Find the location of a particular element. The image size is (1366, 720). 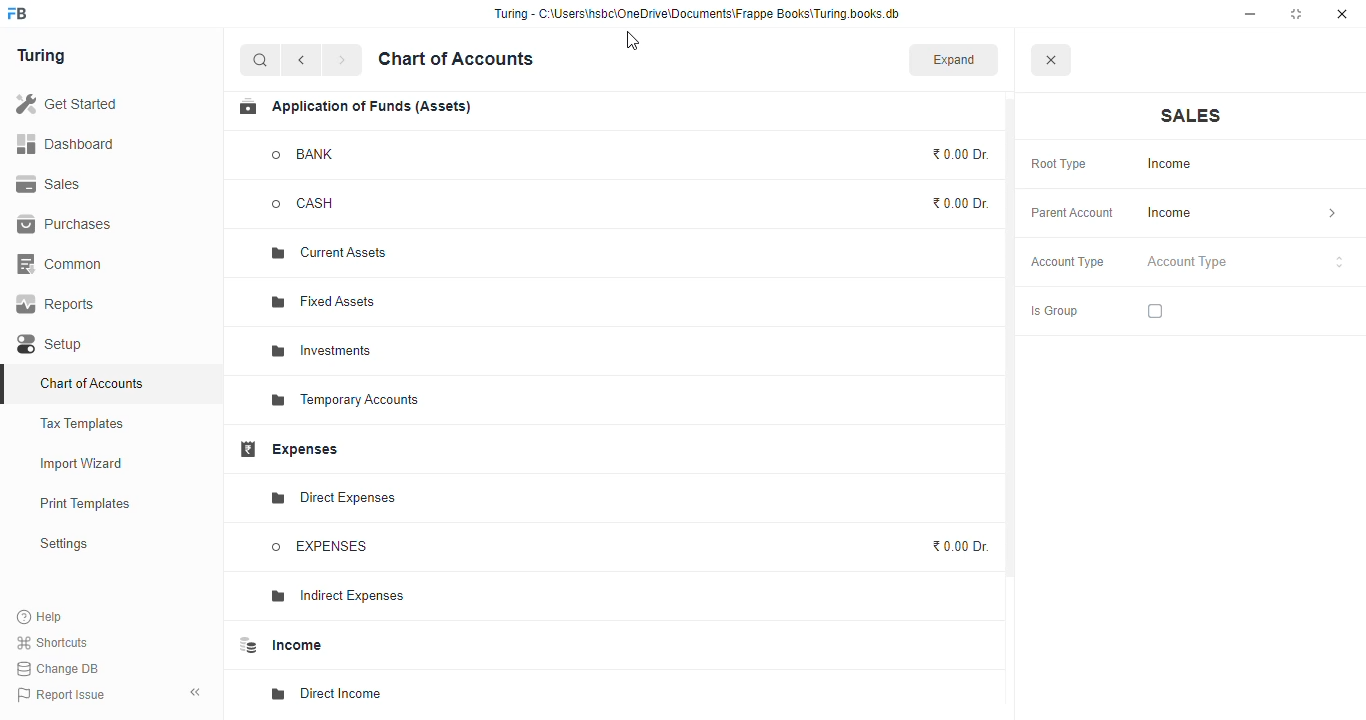

search is located at coordinates (261, 60).